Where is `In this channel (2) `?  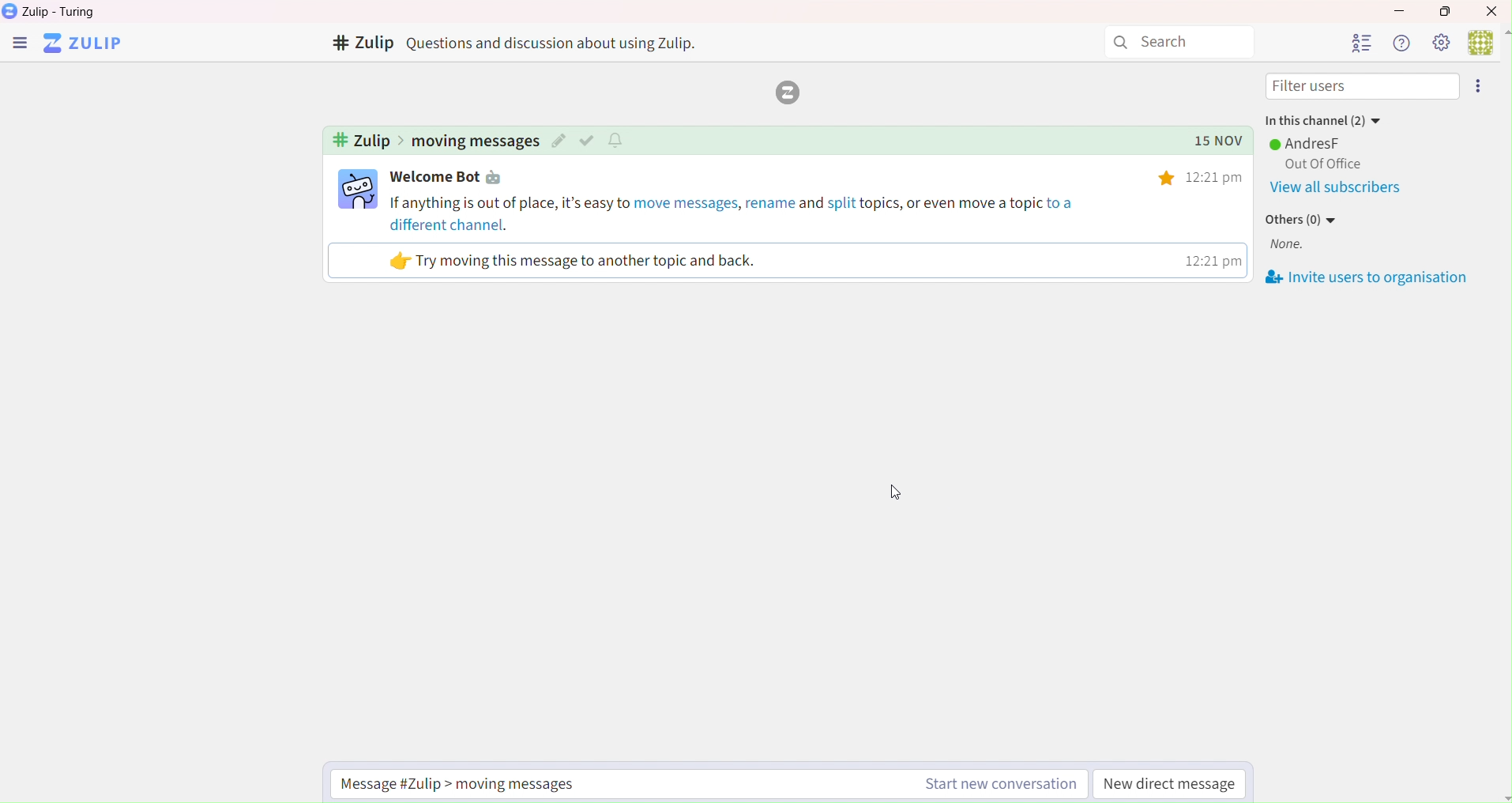
In this channel (2)  is located at coordinates (1322, 118).